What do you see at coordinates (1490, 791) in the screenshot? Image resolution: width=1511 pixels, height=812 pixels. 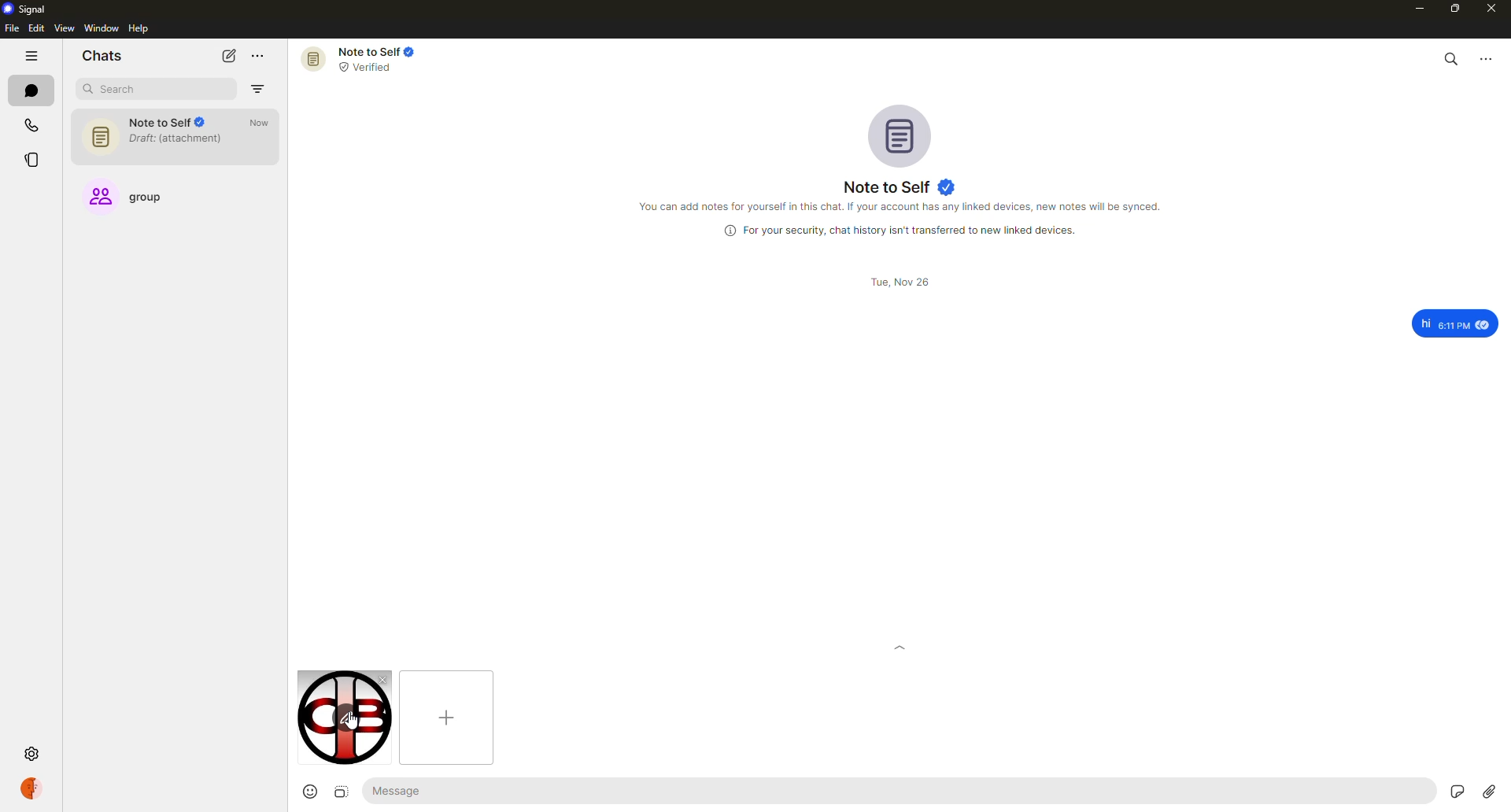 I see `attach` at bounding box center [1490, 791].